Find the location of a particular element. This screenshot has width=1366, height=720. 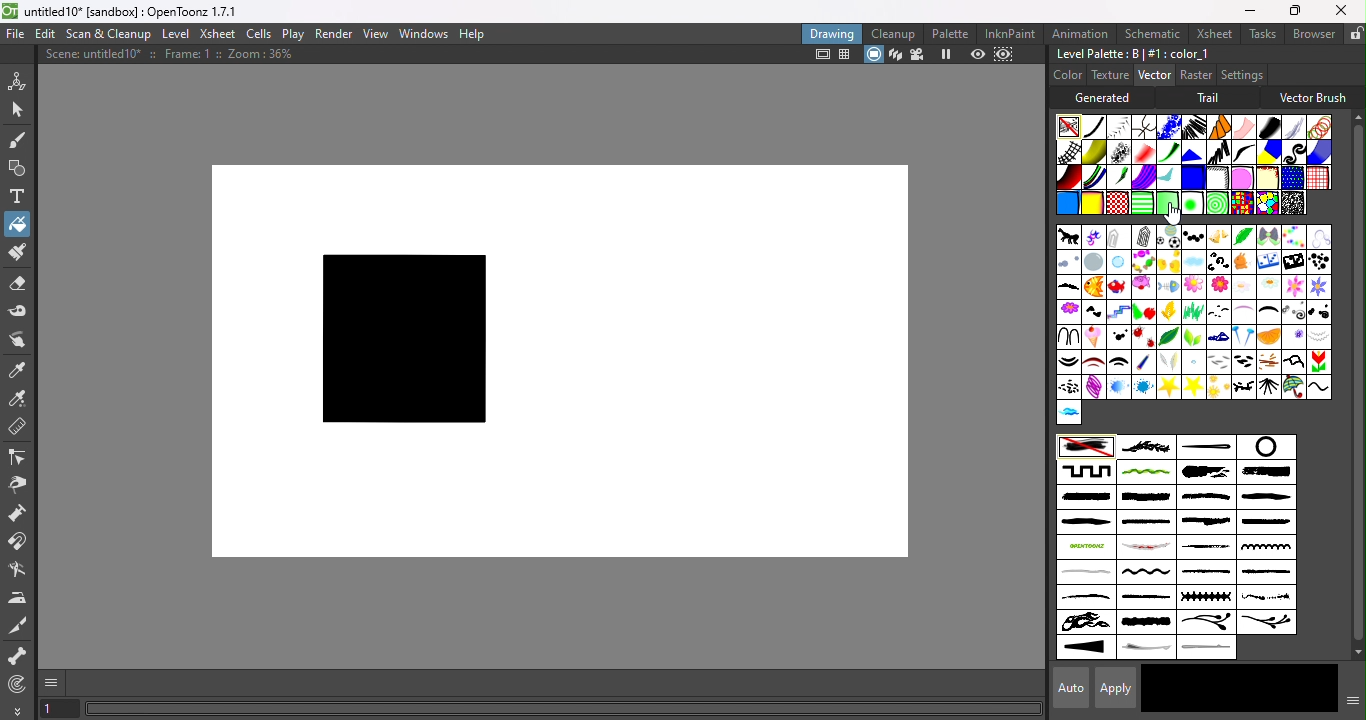

Branches is located at coordinates (1146, 446).